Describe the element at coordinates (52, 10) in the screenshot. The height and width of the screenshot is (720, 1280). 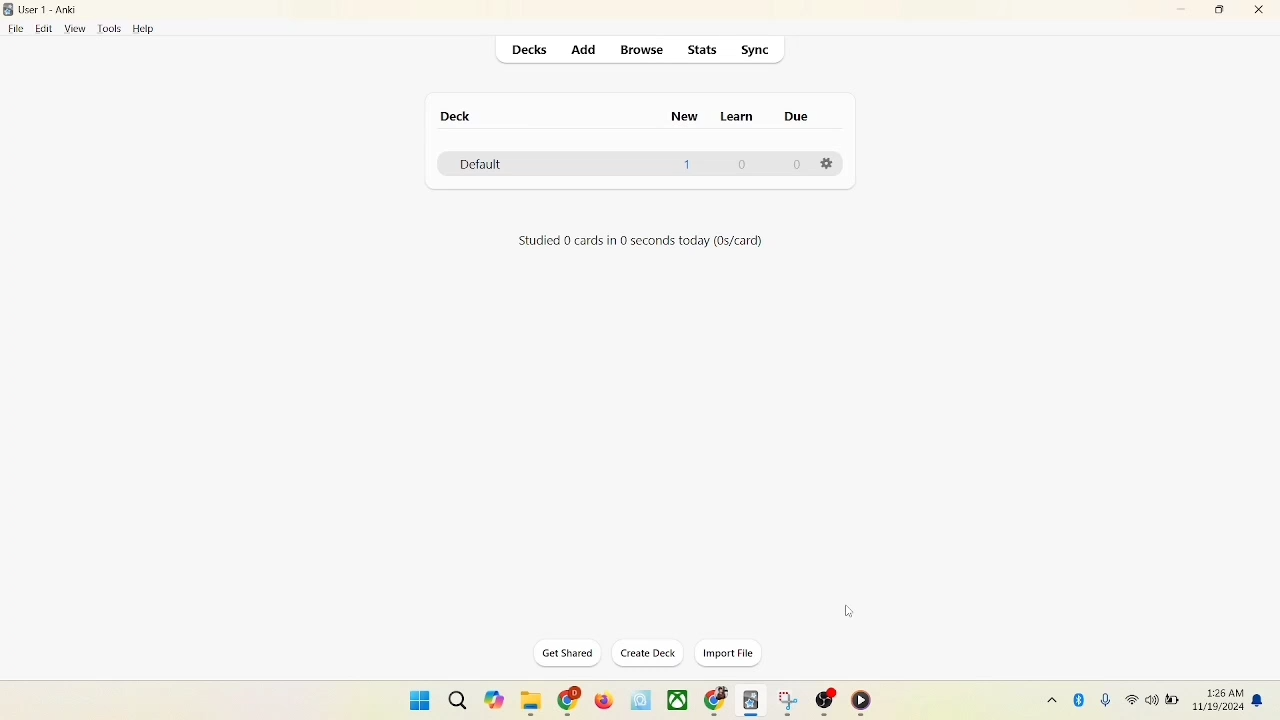
I see `User1-Anki` at that location.